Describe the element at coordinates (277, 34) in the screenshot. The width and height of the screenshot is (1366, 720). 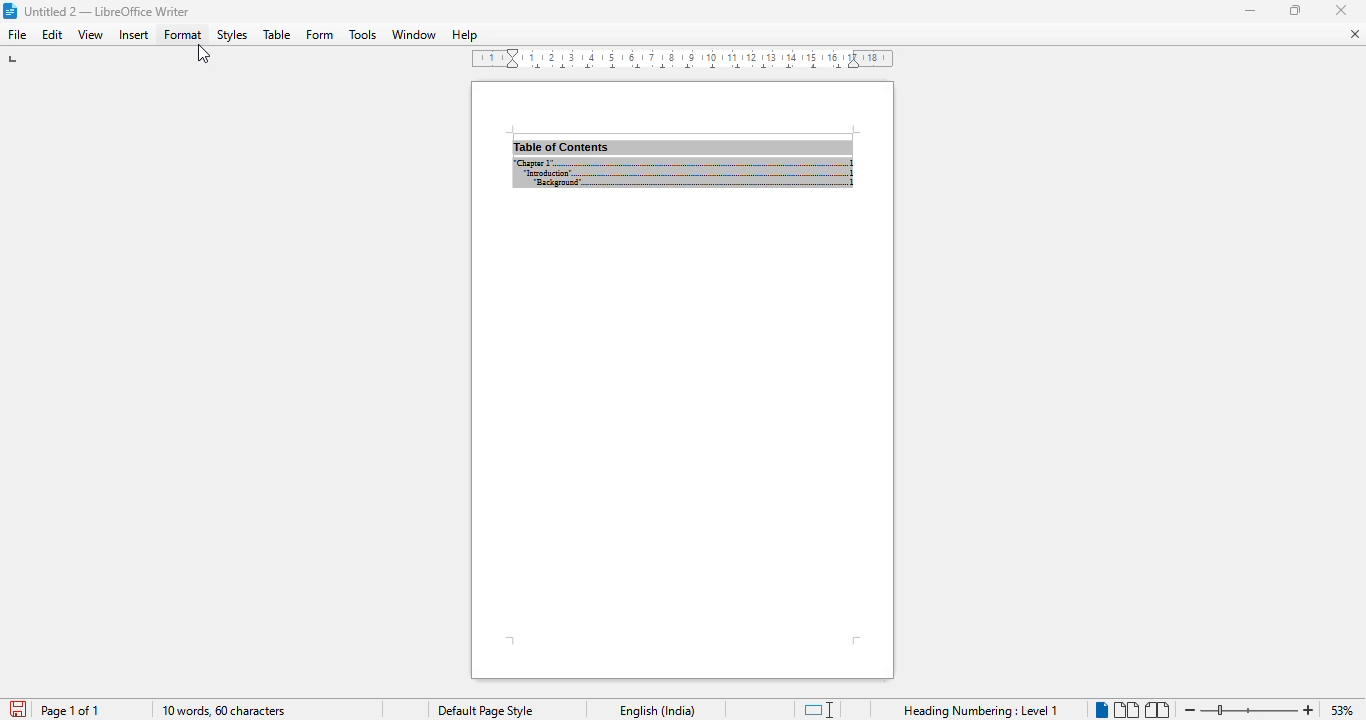
I see `table` at that location.